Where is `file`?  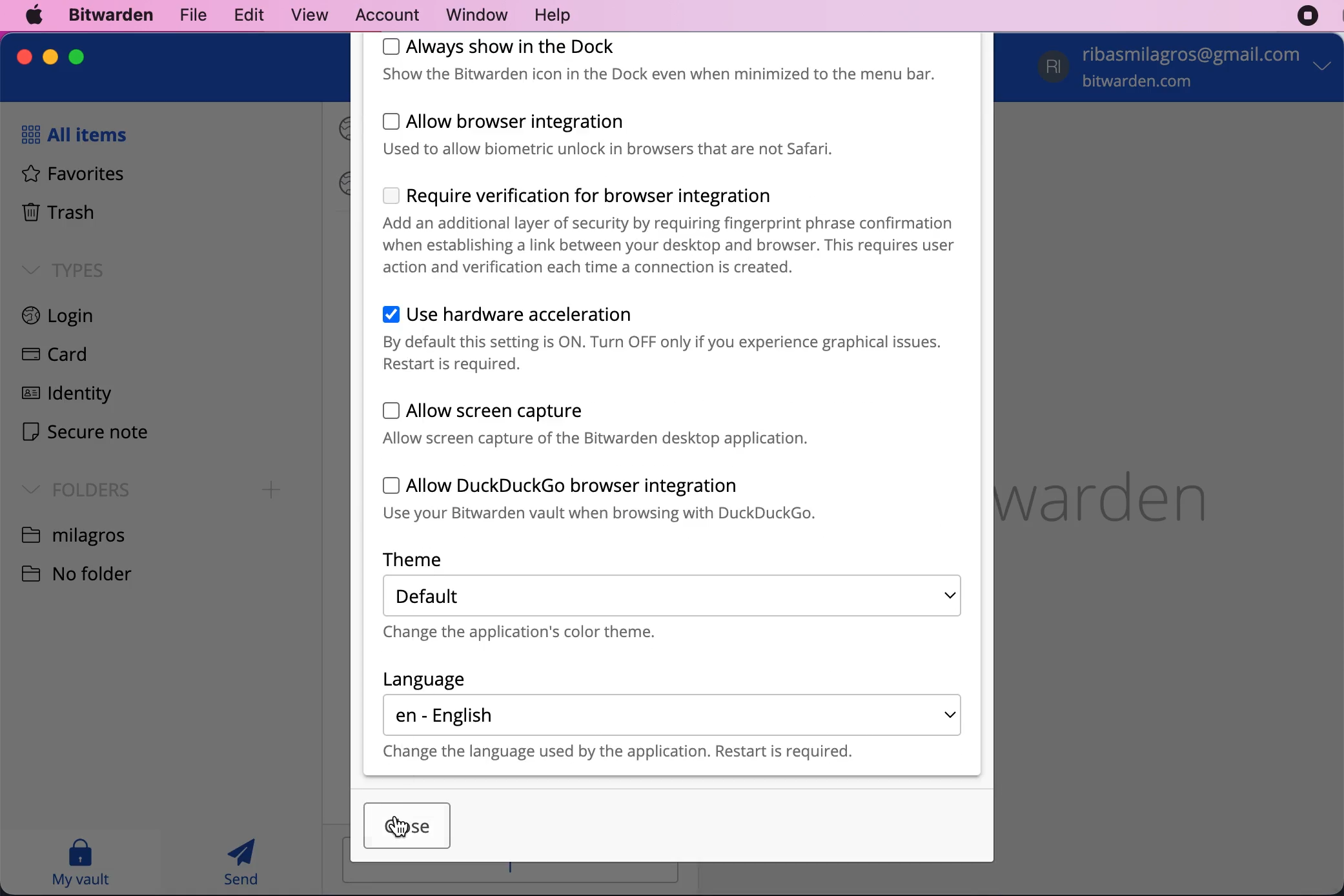
file is located at coordinates (190, 14).